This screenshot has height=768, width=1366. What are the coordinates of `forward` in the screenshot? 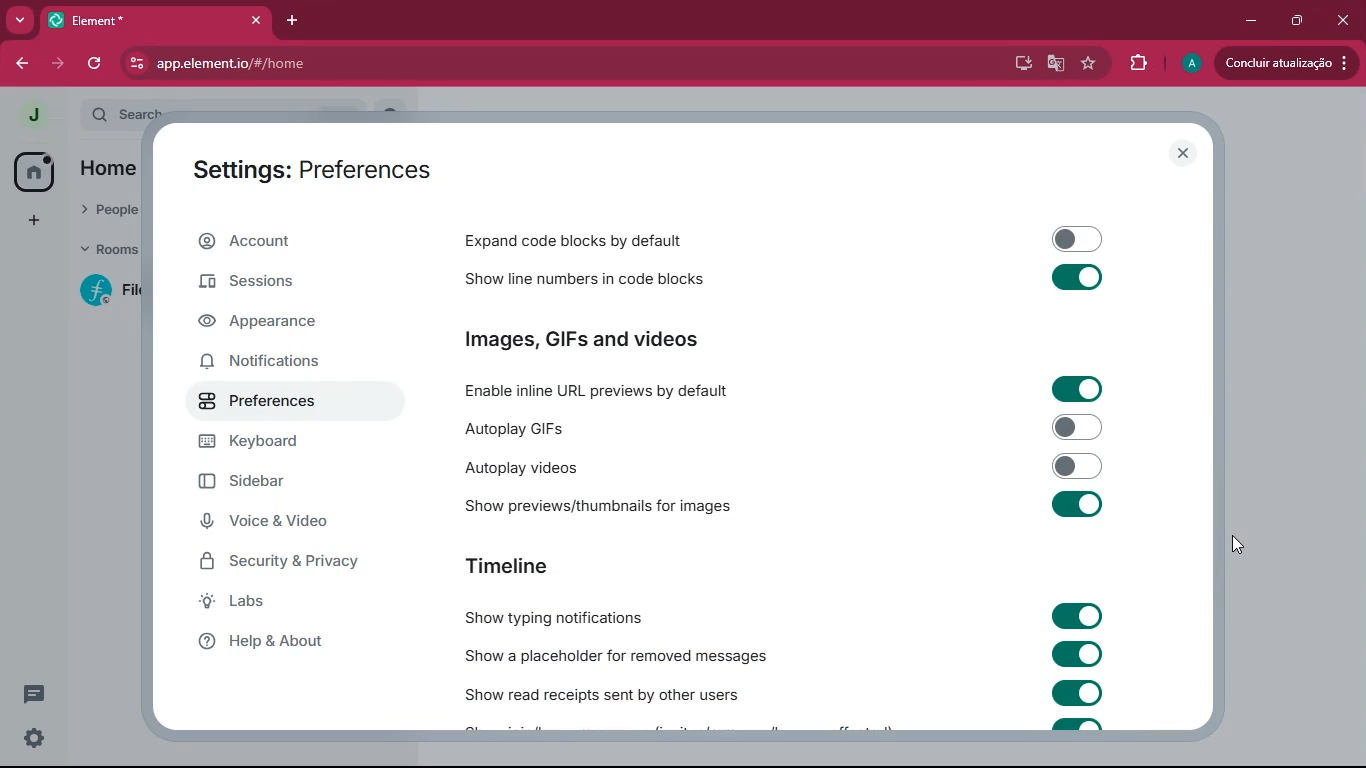 It's located at (60, 65).